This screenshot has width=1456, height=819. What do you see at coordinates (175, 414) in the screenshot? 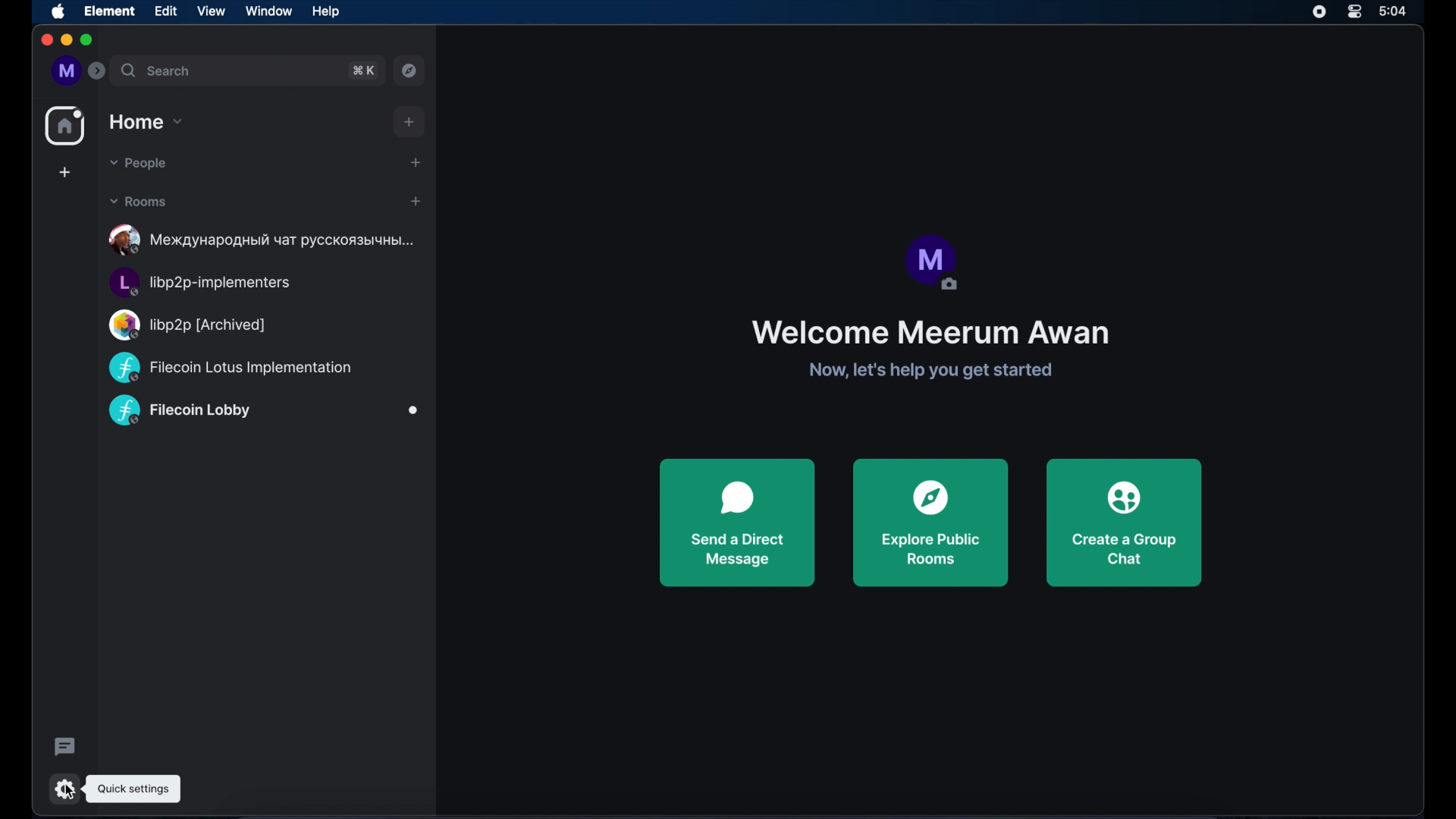
I see `[€3 Filecoin Lobby` at bounding box center [175, 414].